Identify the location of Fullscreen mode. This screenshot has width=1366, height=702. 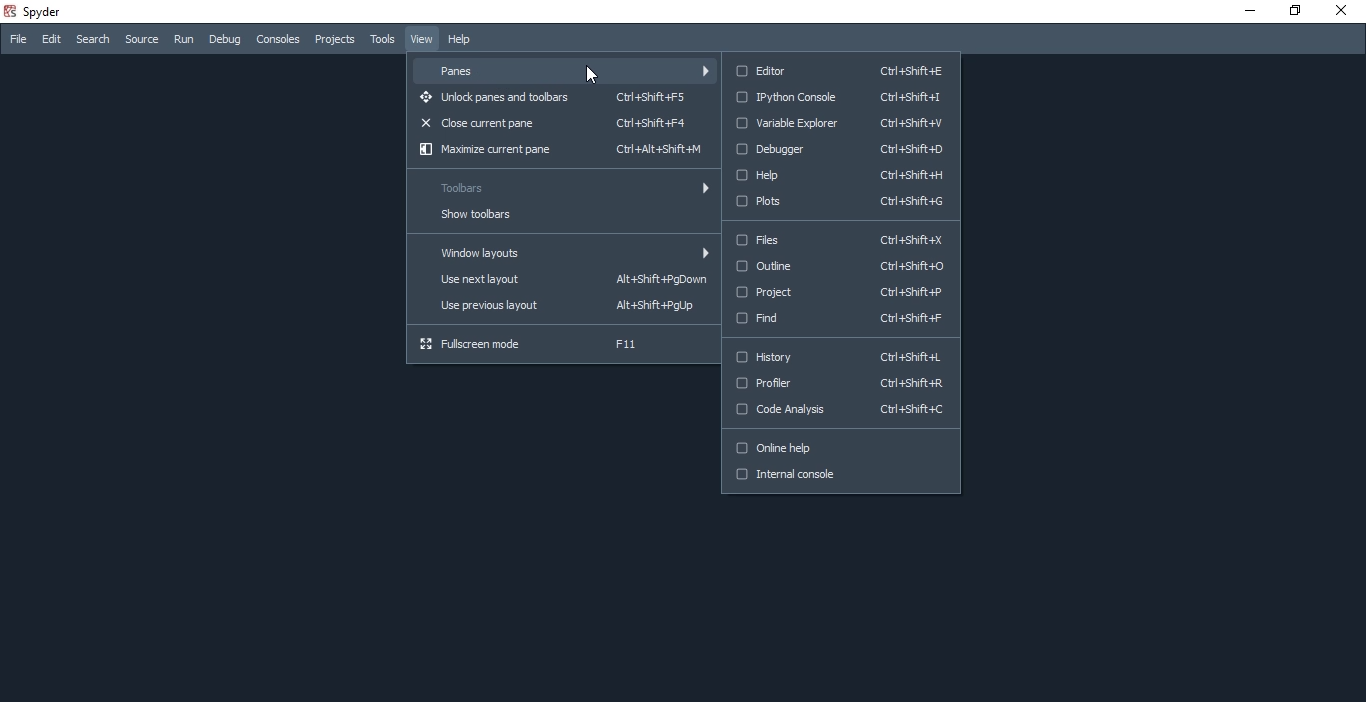
(556, 344).